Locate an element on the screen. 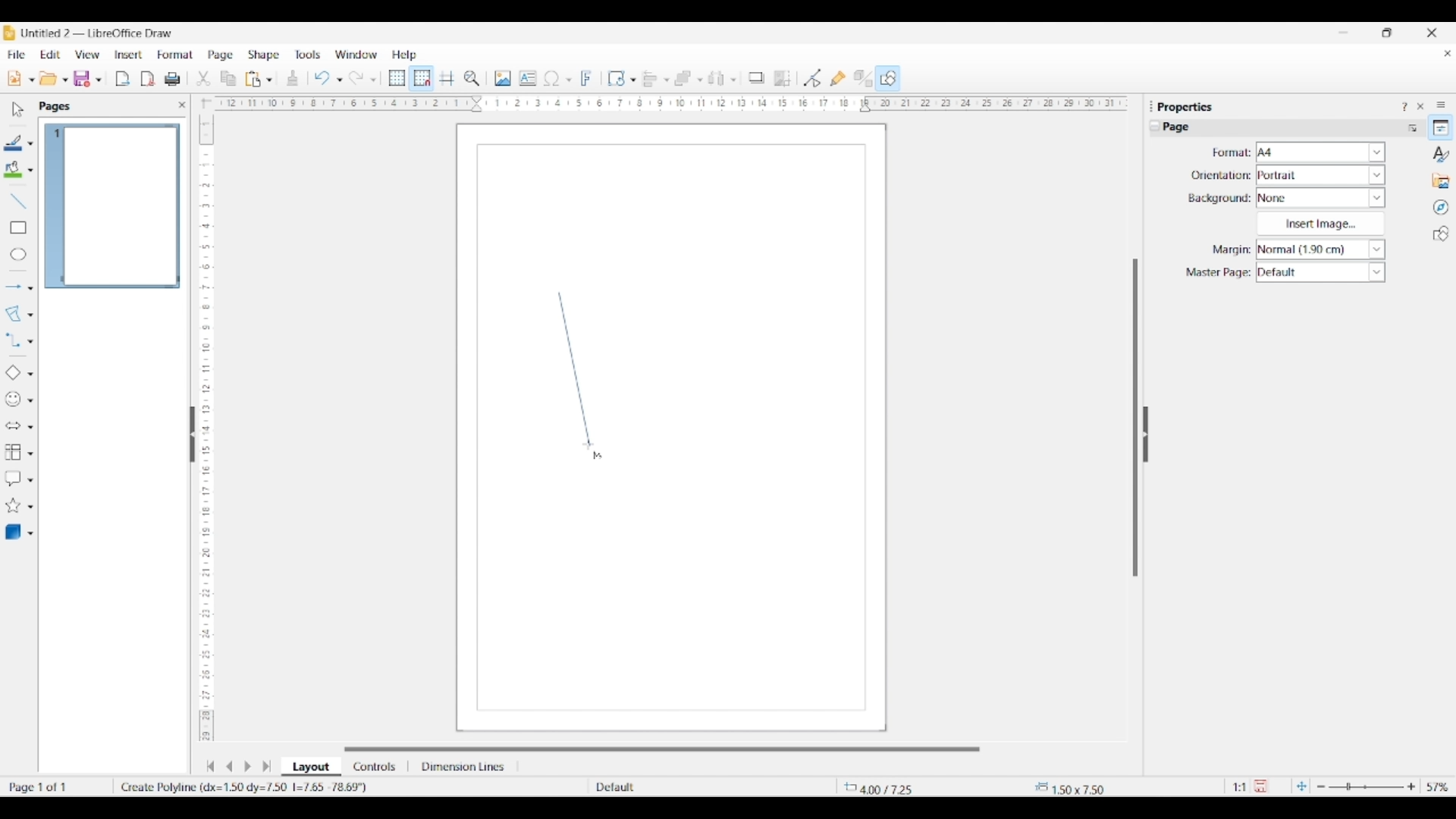 The image size is (1456, 819). Helplines while moving is located at coordinates (447, 77).